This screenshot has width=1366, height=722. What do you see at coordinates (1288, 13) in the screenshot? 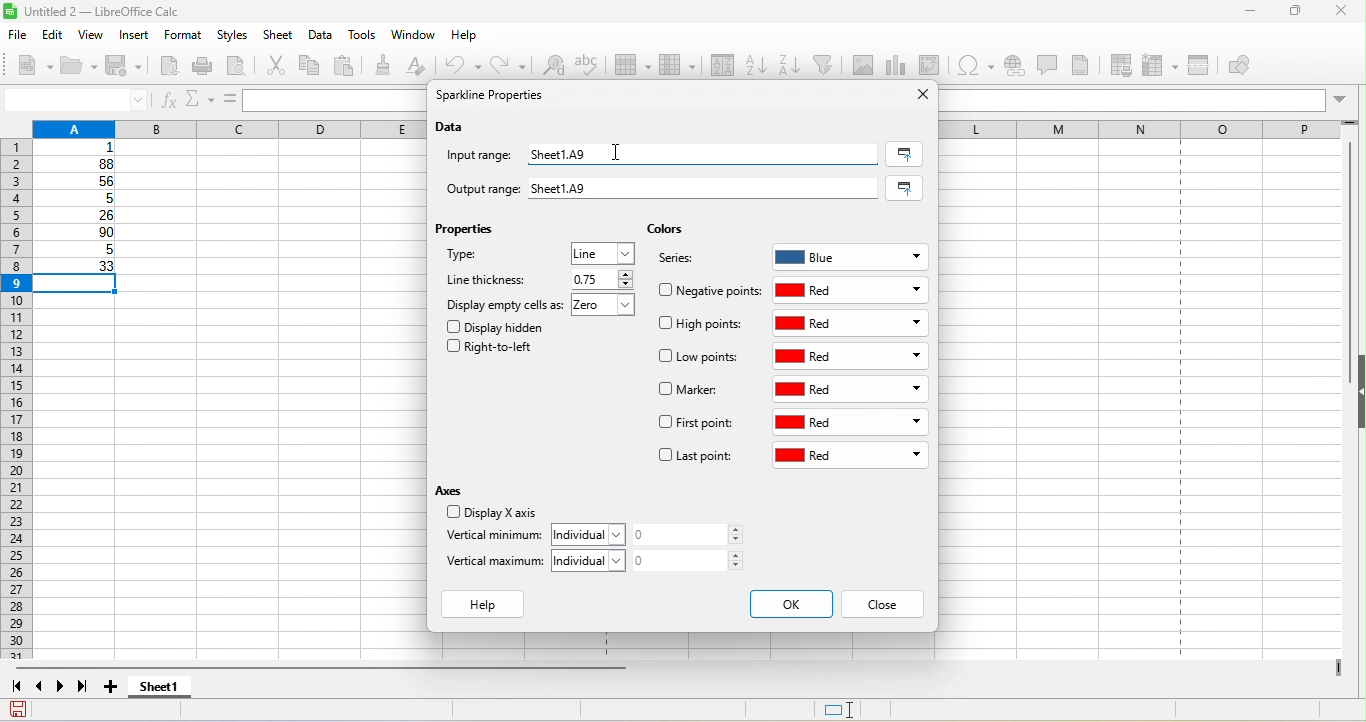
I see `maximize` at bounding box center [1288, 13].